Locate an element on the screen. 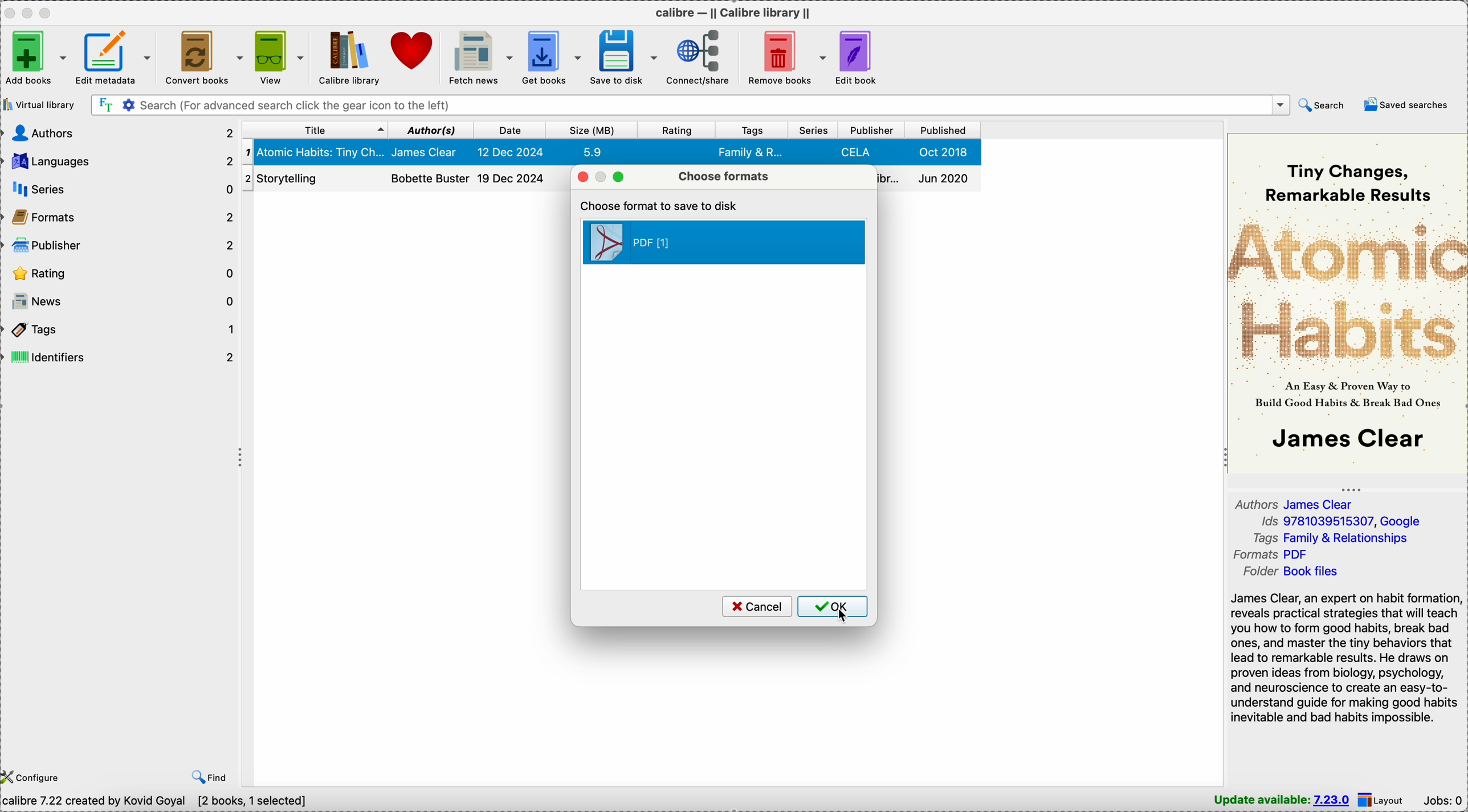  maximize Calibre is located at coordinates (48, 11).